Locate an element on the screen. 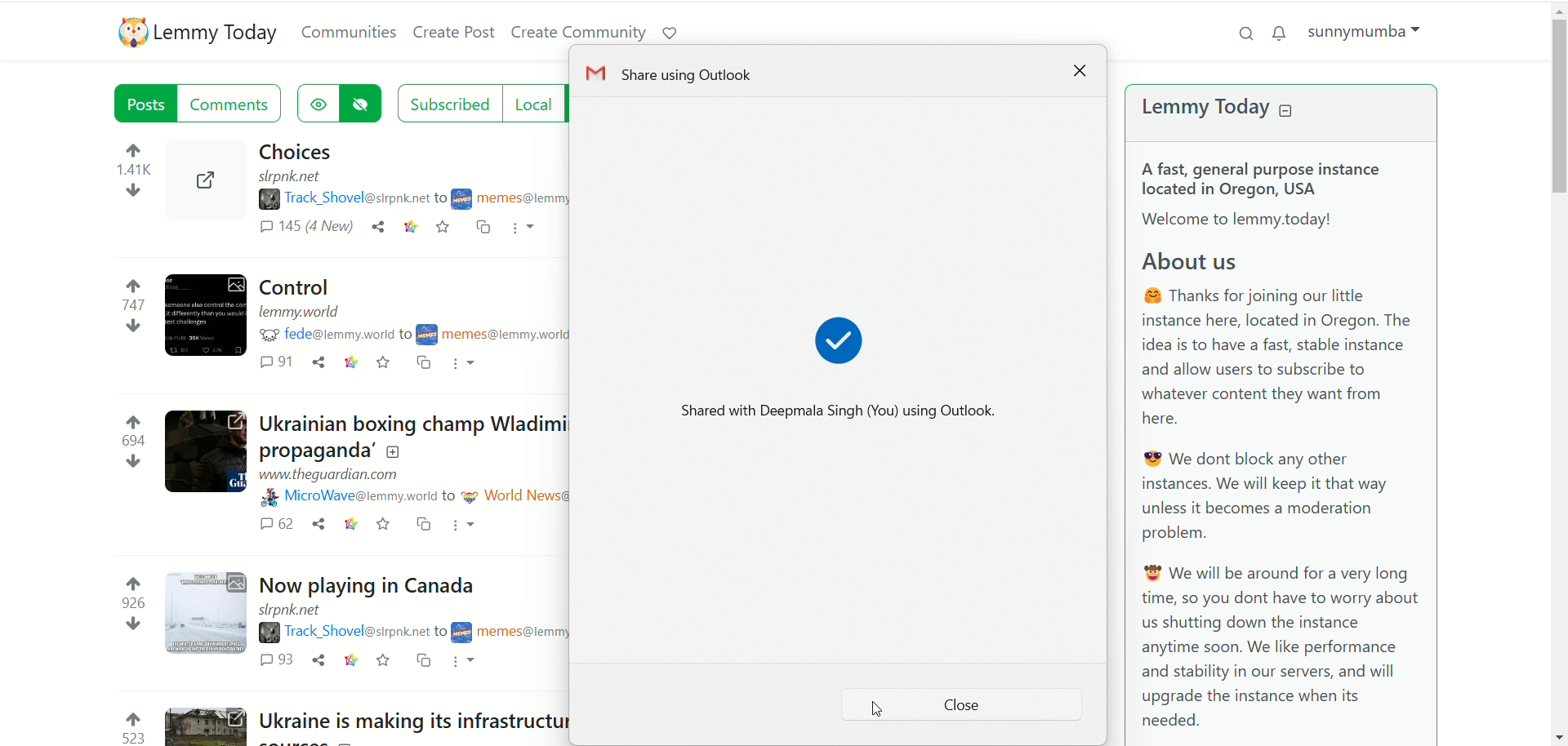 Image resolution: width=1568 pixels, height=746 pixels. lemmy today logo and name is located at coordinates (194, 33).